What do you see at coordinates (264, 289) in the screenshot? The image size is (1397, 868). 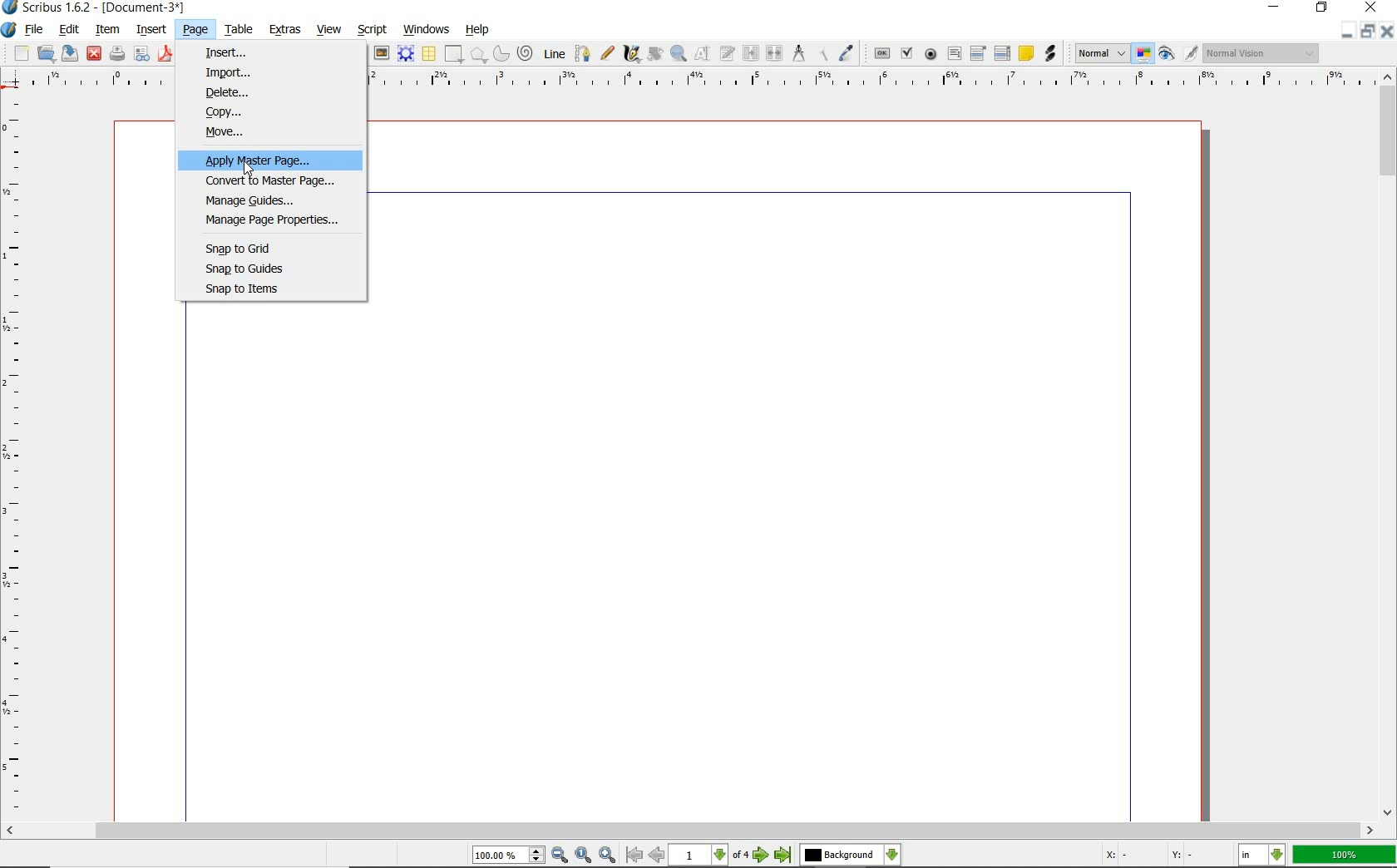 I see `snap to items` at bounding box center [264, 289].